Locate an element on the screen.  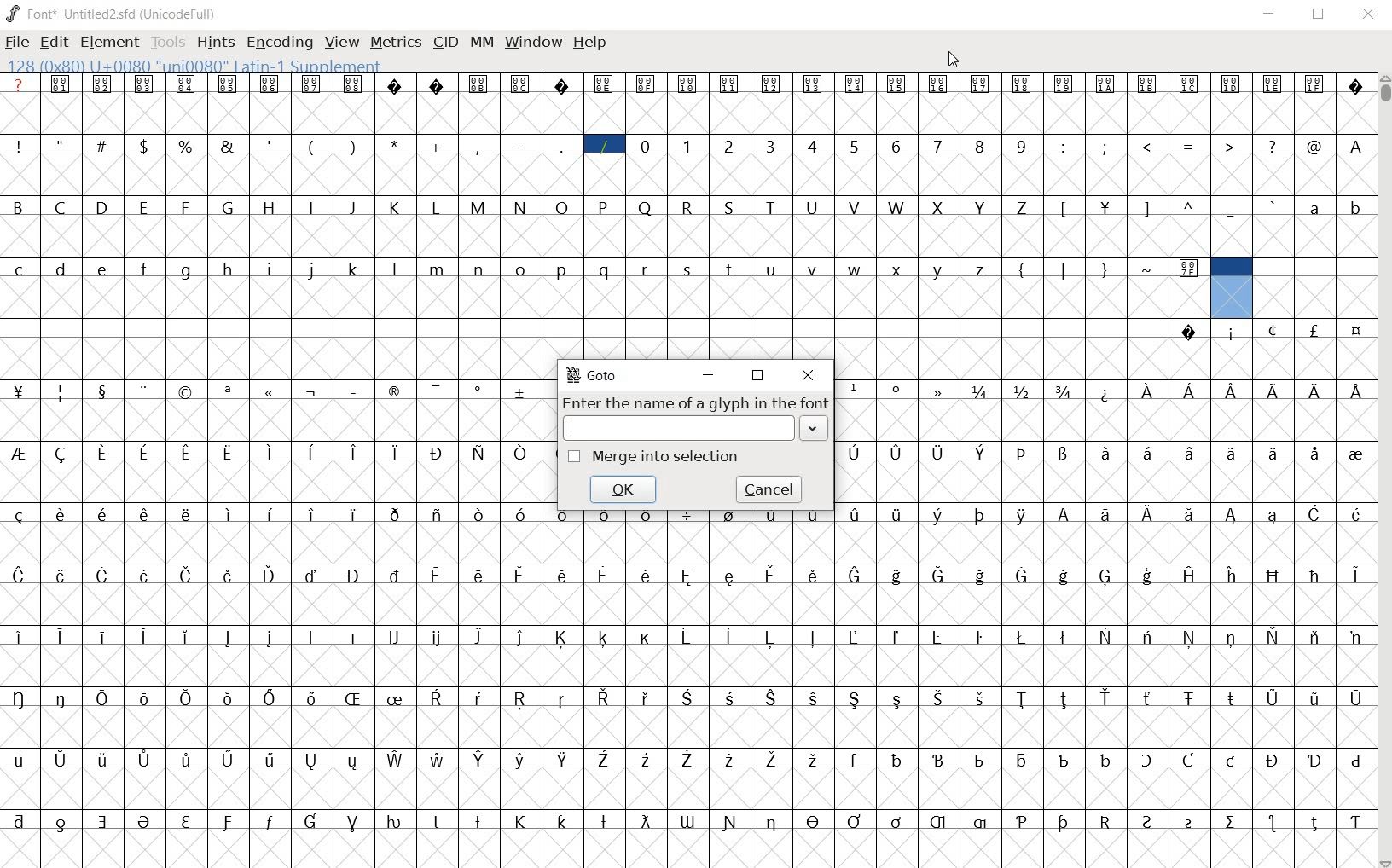
h is located at coordinates (229, 268).